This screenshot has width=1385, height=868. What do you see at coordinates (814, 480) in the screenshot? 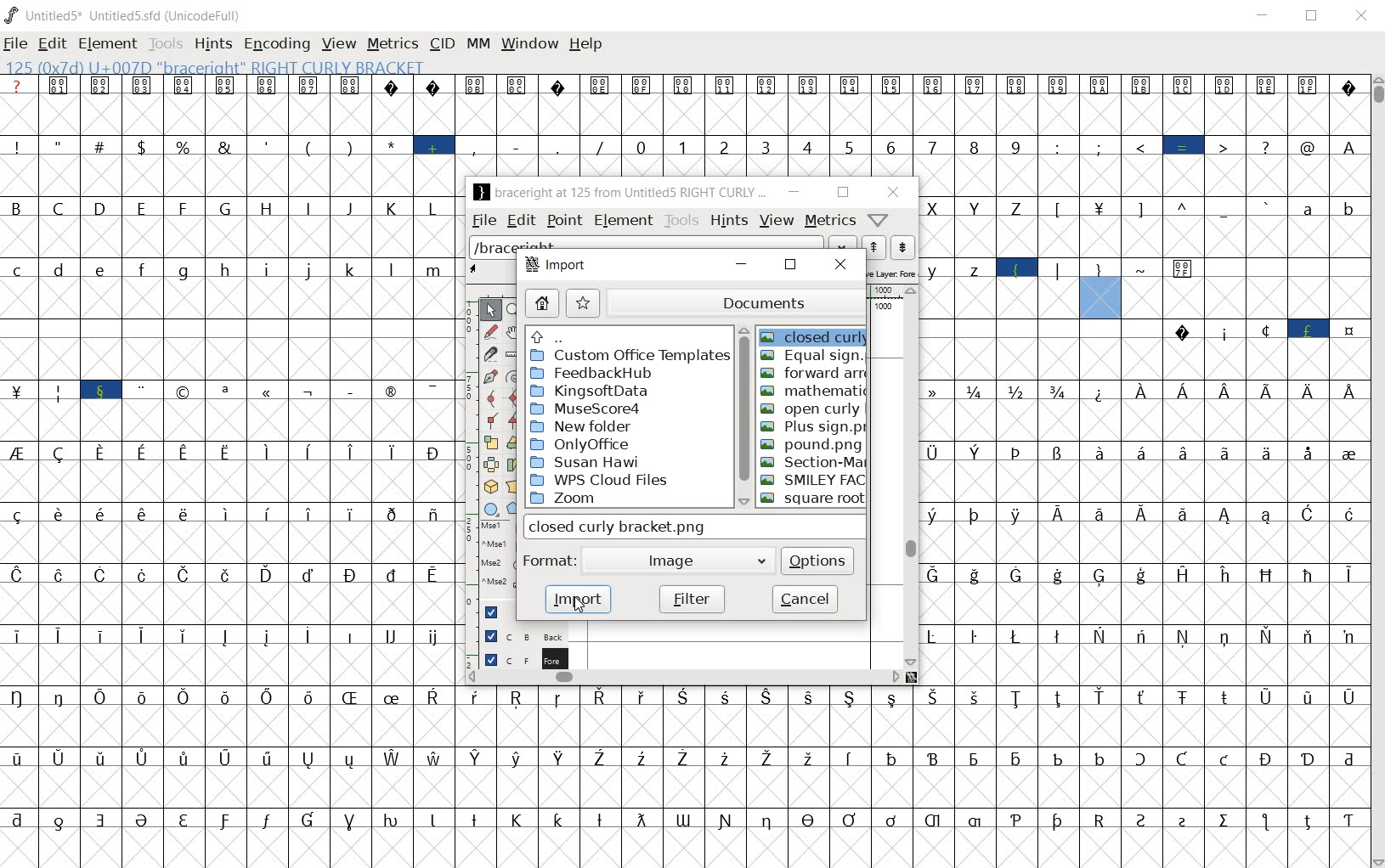
I see `smiley face` at bounding box center [814, 480].